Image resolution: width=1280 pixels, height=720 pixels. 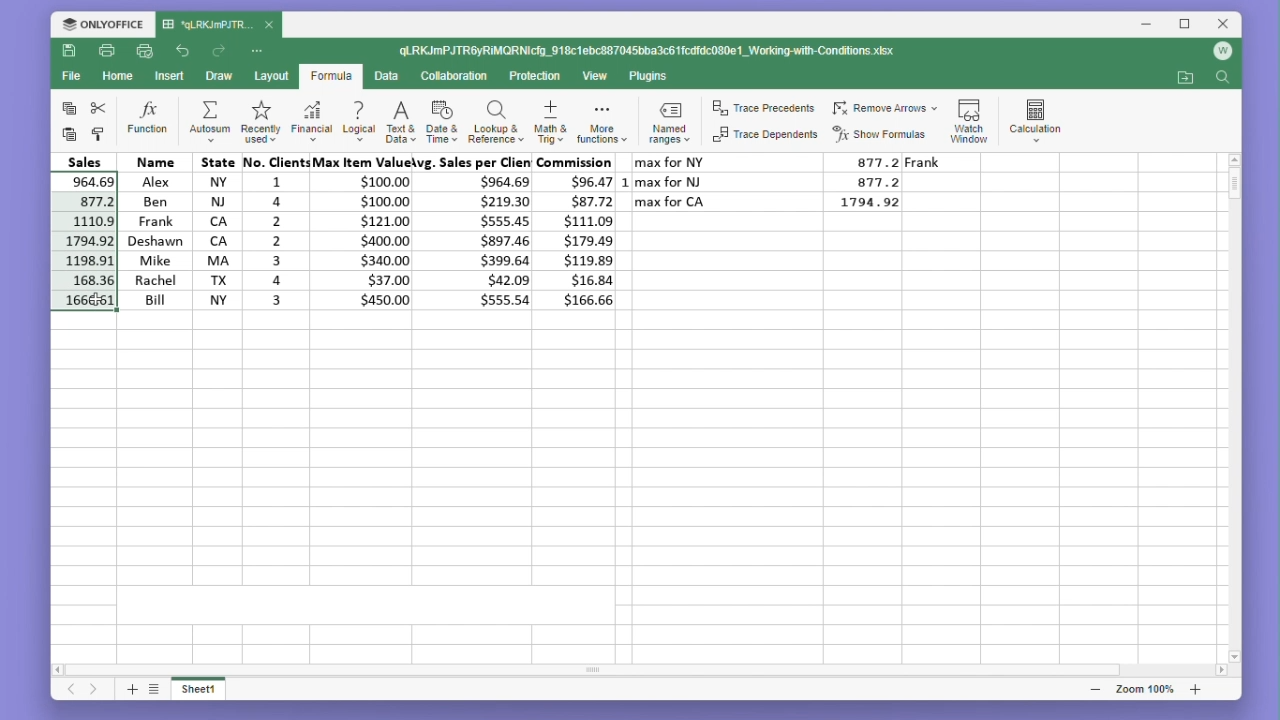 What do you see at coordinates (258, 120) in the screenshot?
I see `Recently used` at bounding box center [258, 120].